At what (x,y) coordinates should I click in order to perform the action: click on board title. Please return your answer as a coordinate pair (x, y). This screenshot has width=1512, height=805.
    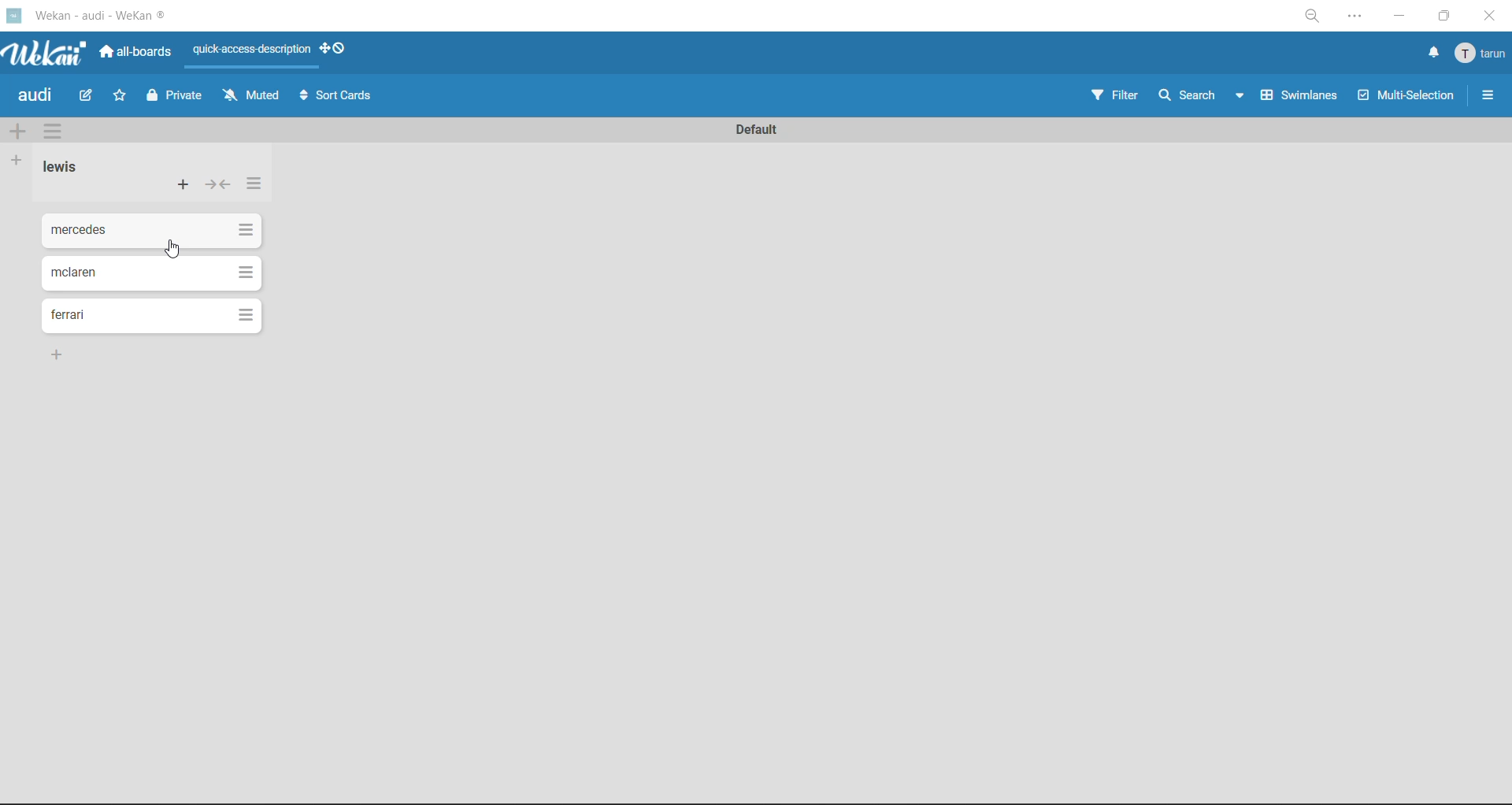
    Looking at the image, I should click on (39, 97).